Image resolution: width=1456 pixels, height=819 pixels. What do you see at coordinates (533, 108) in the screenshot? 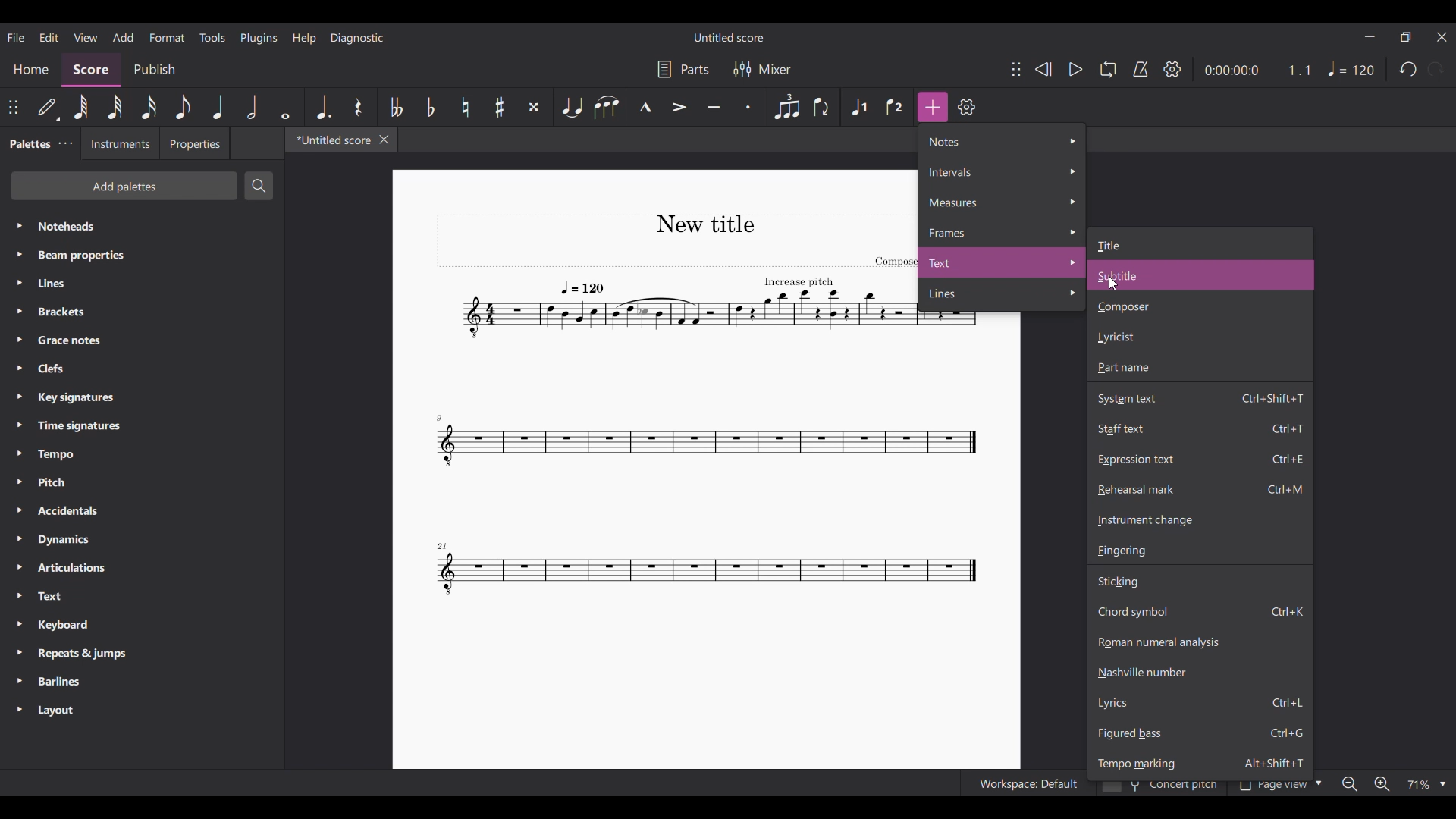
I see `Toggle double sharp` at bounding box center [533, 108].